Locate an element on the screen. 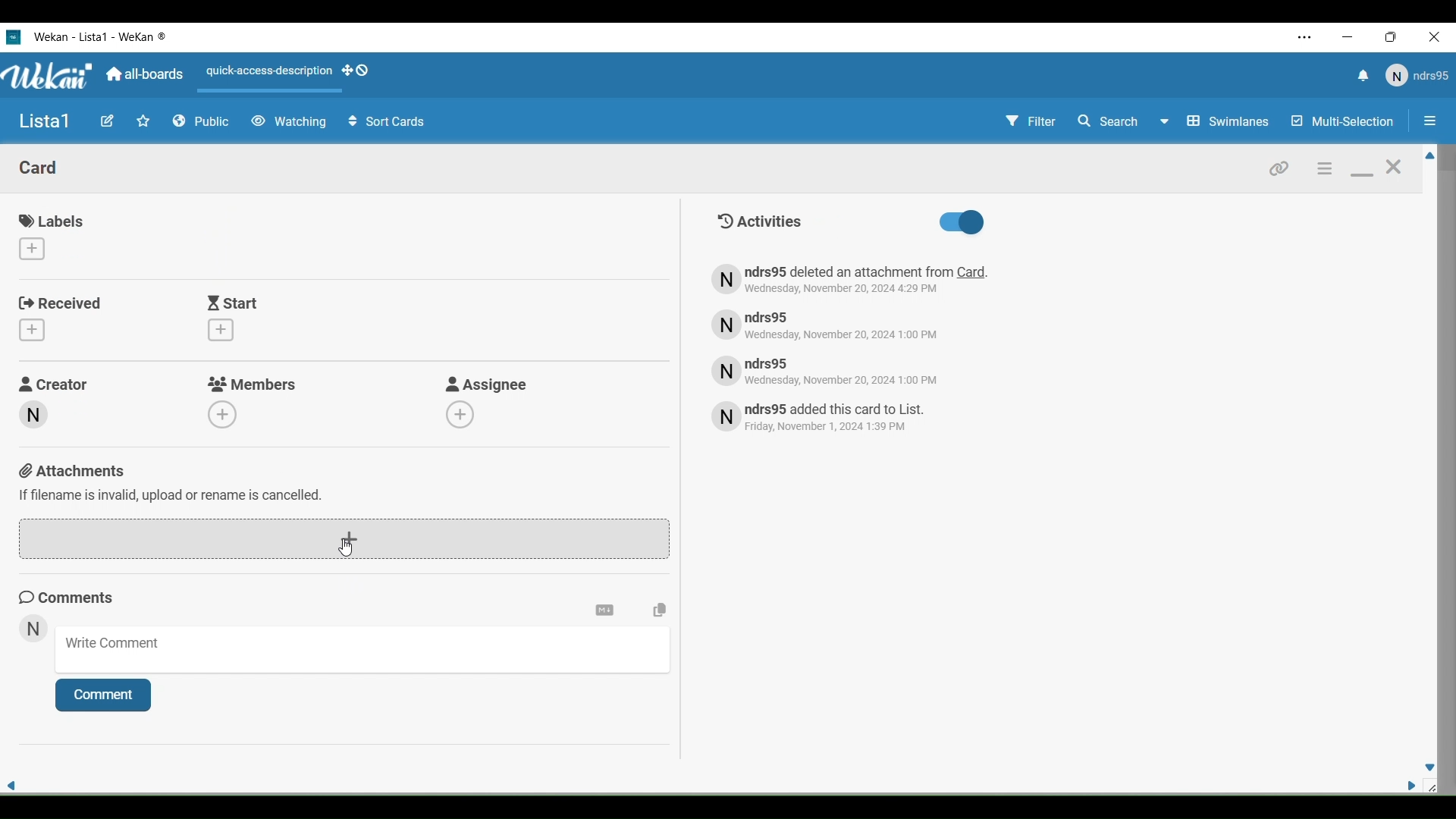  Cursor is located at coordinates (346, 547).